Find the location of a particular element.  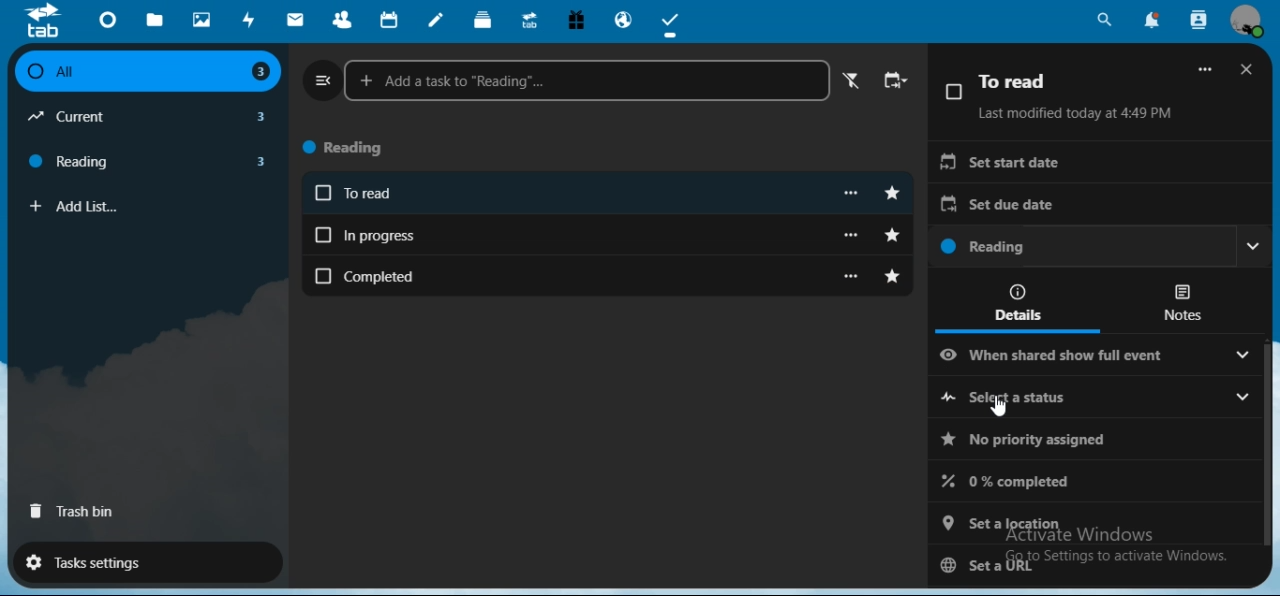

To read is located at coordinates (1015, 81).